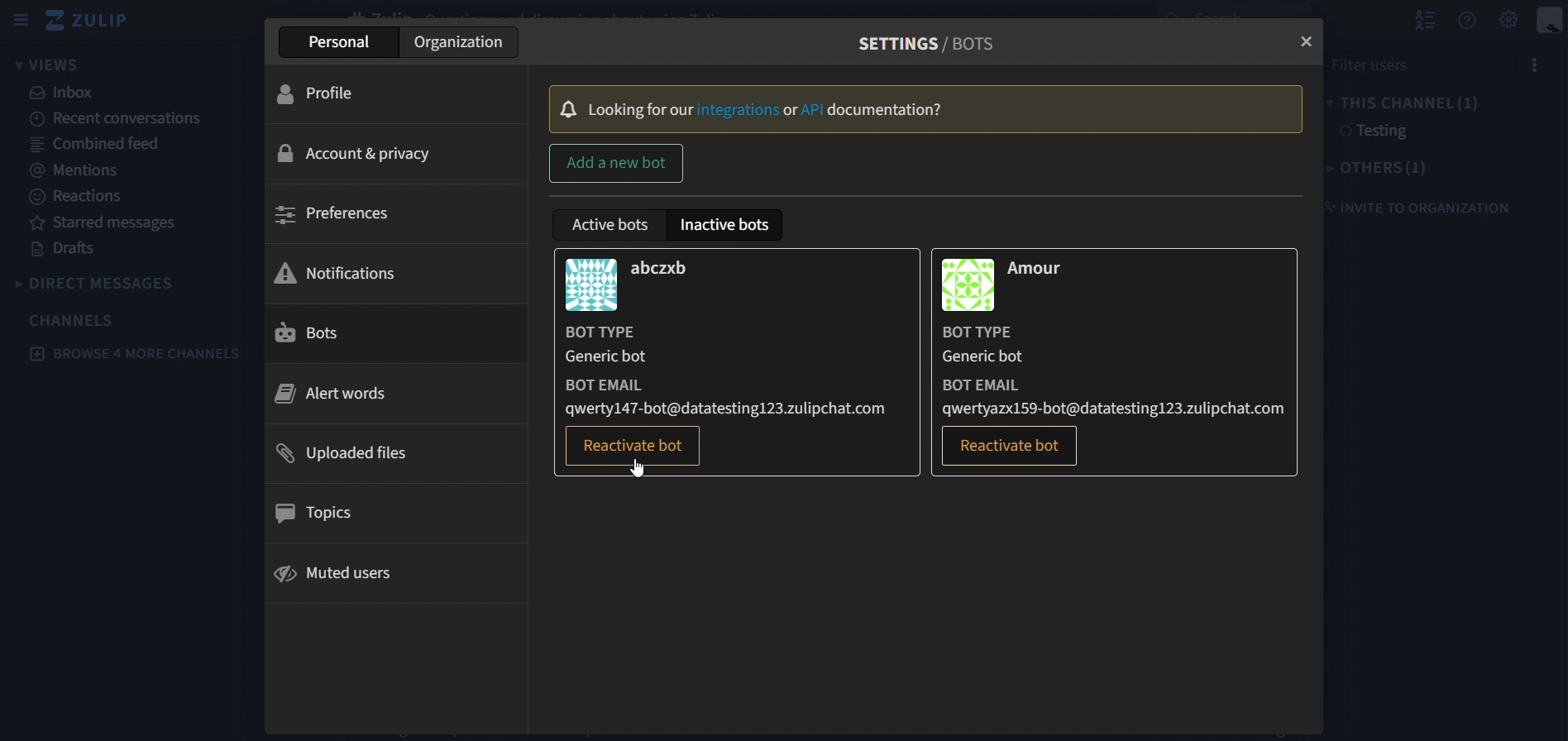 This screenshot has height=741, width=1568. I want to click on mentions, so click(73, 170).